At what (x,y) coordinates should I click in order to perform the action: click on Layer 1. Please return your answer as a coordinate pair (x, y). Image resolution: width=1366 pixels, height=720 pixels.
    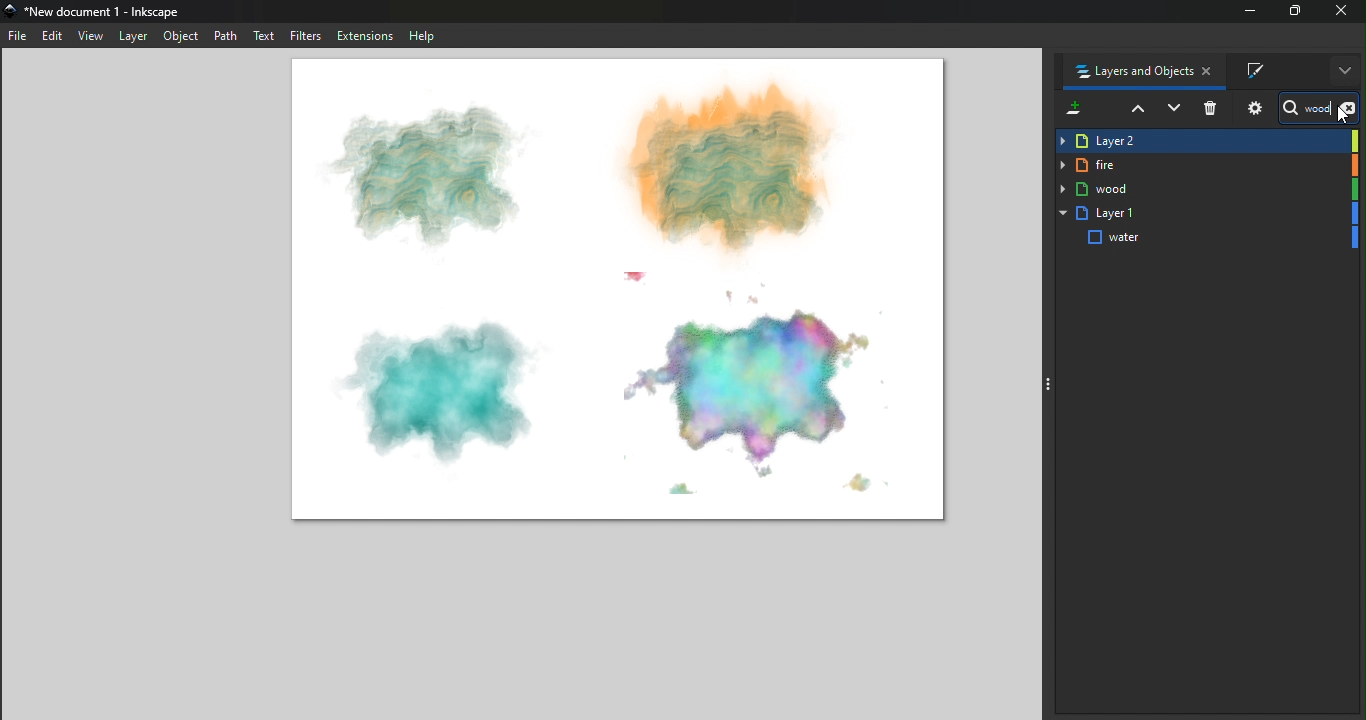
    Looking at the image, I should click on (1208, 214).